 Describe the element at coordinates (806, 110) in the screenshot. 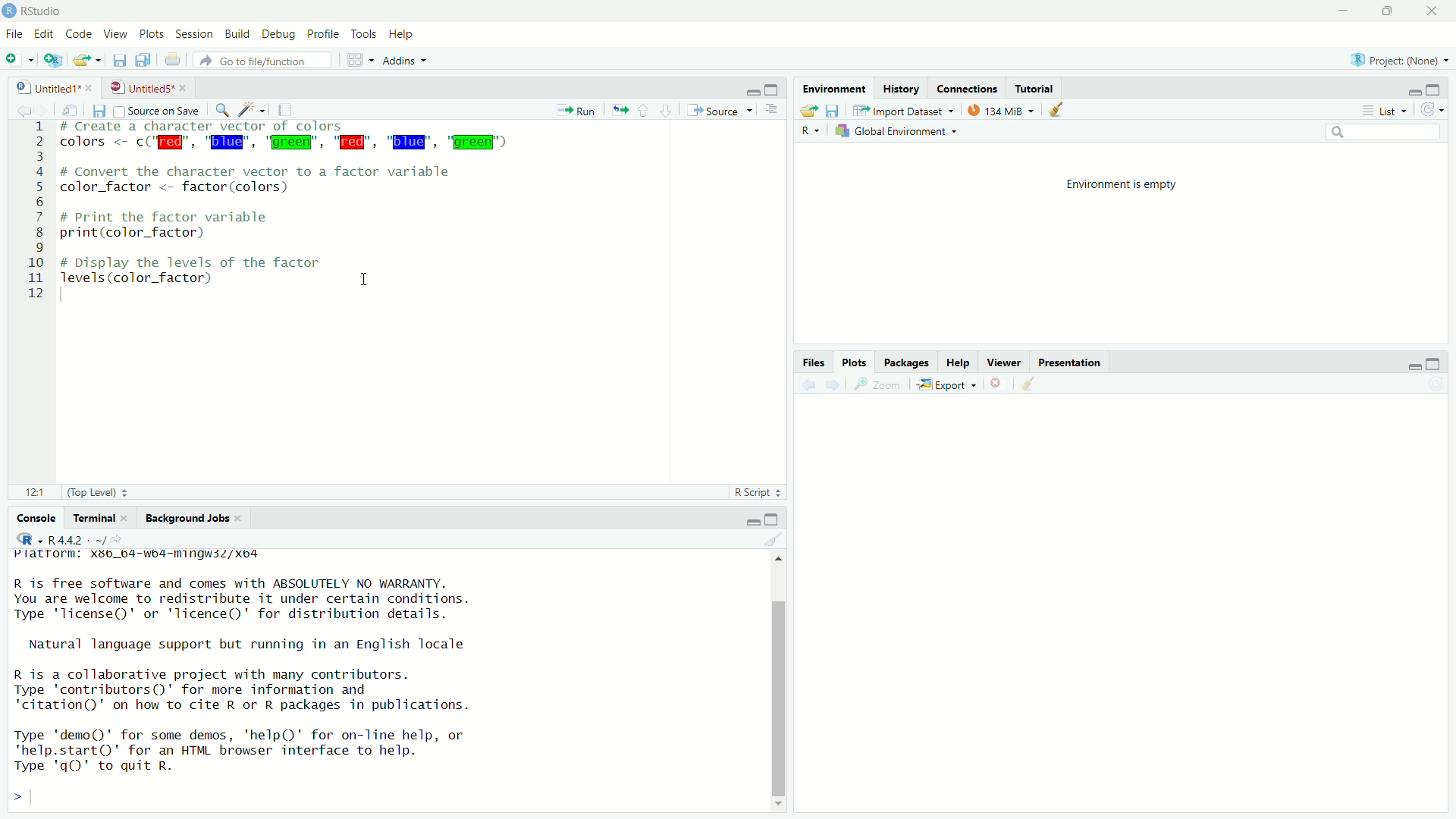

I see `load workspace` at that location.